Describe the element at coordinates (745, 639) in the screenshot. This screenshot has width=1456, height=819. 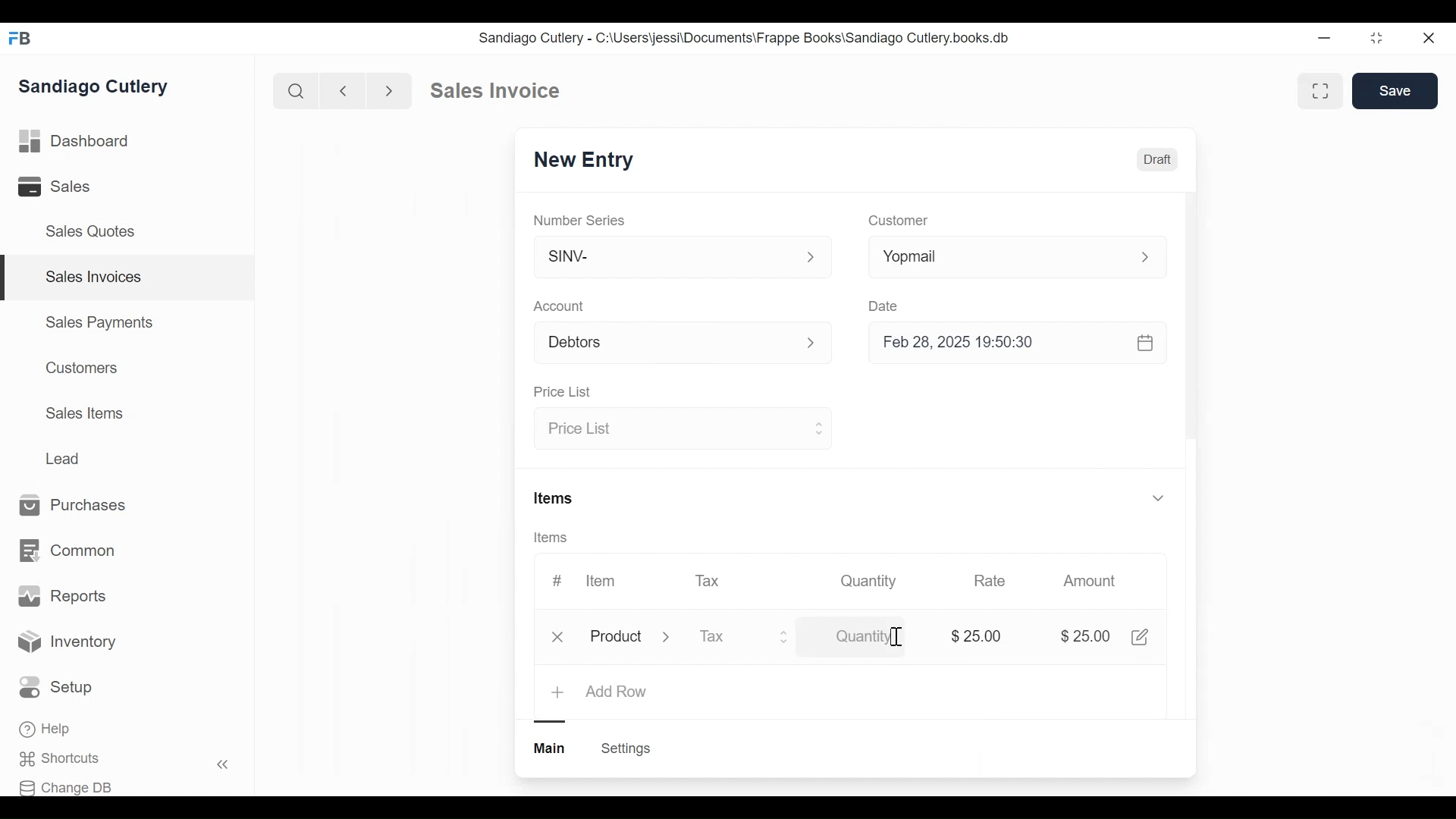
I see `Tax ` at that location.